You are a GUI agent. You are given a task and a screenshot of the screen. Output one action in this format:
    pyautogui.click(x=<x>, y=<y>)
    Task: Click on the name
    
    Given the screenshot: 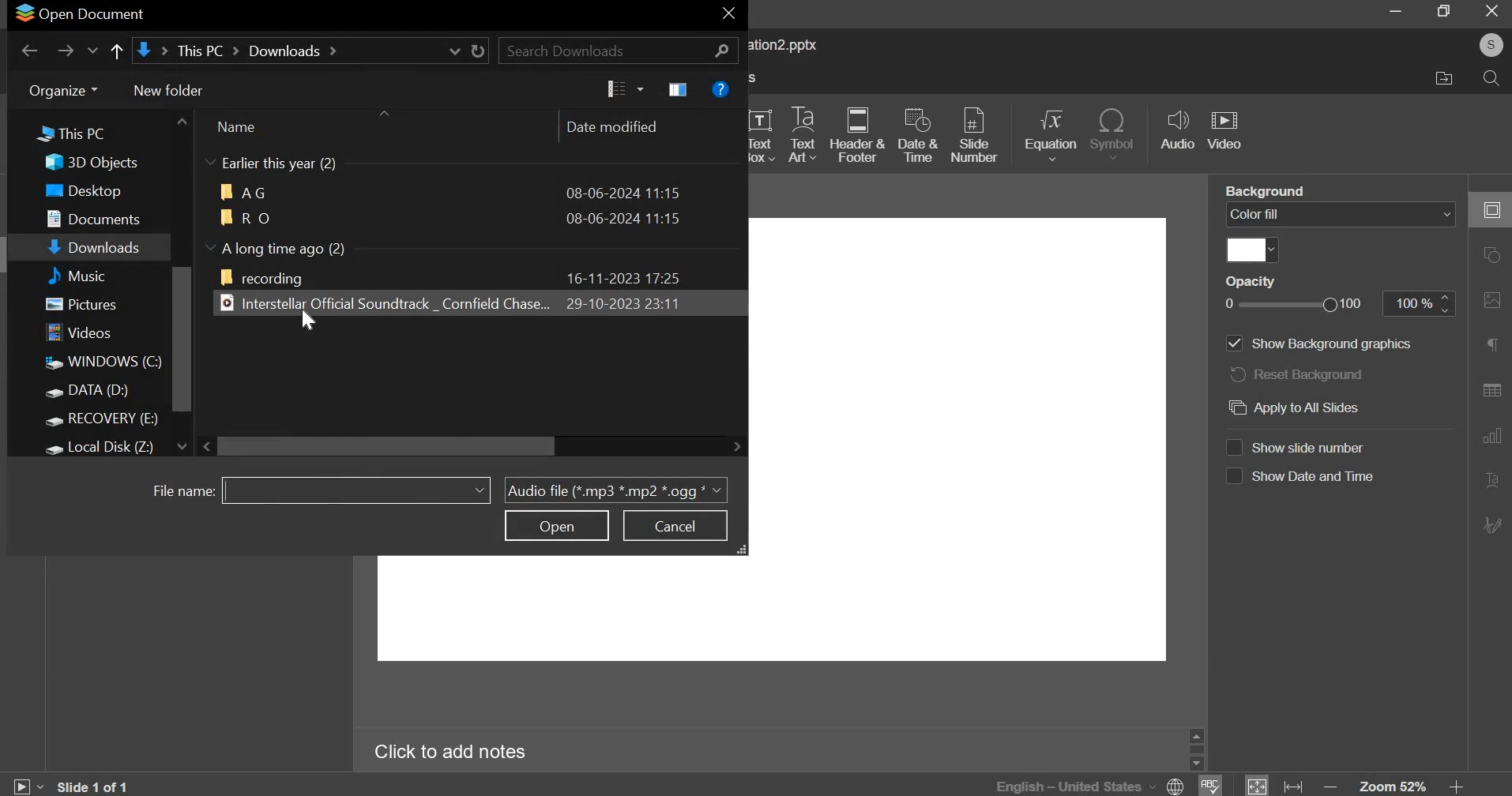 What is the action you would take?
    pyautogui.click(x=244, y=127)
    